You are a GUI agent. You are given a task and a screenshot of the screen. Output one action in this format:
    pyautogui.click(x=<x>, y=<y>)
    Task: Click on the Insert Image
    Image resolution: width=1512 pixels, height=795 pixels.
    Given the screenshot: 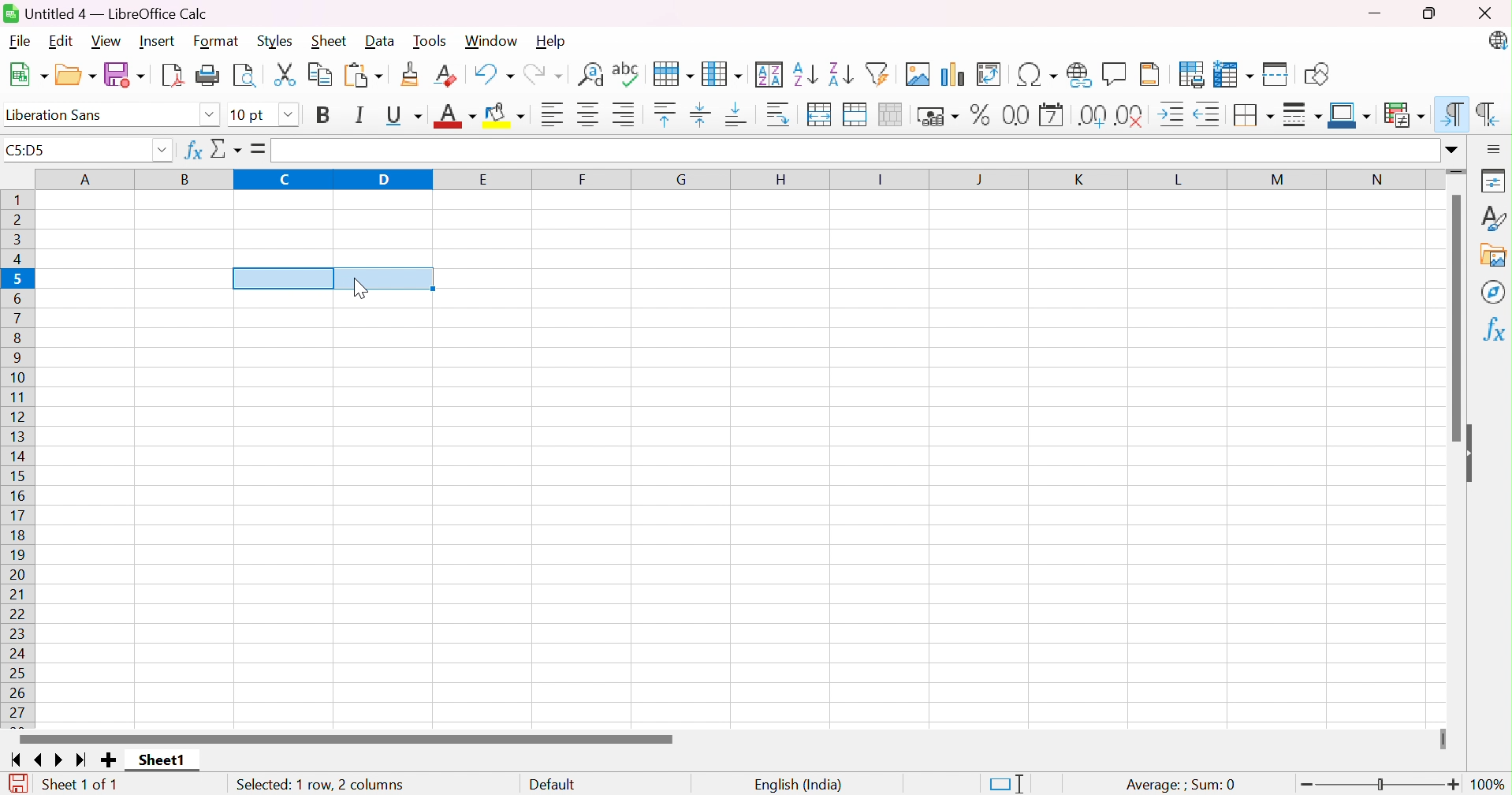 What is the action you would take?
    pyautogui.click(x=917, y=74)
    